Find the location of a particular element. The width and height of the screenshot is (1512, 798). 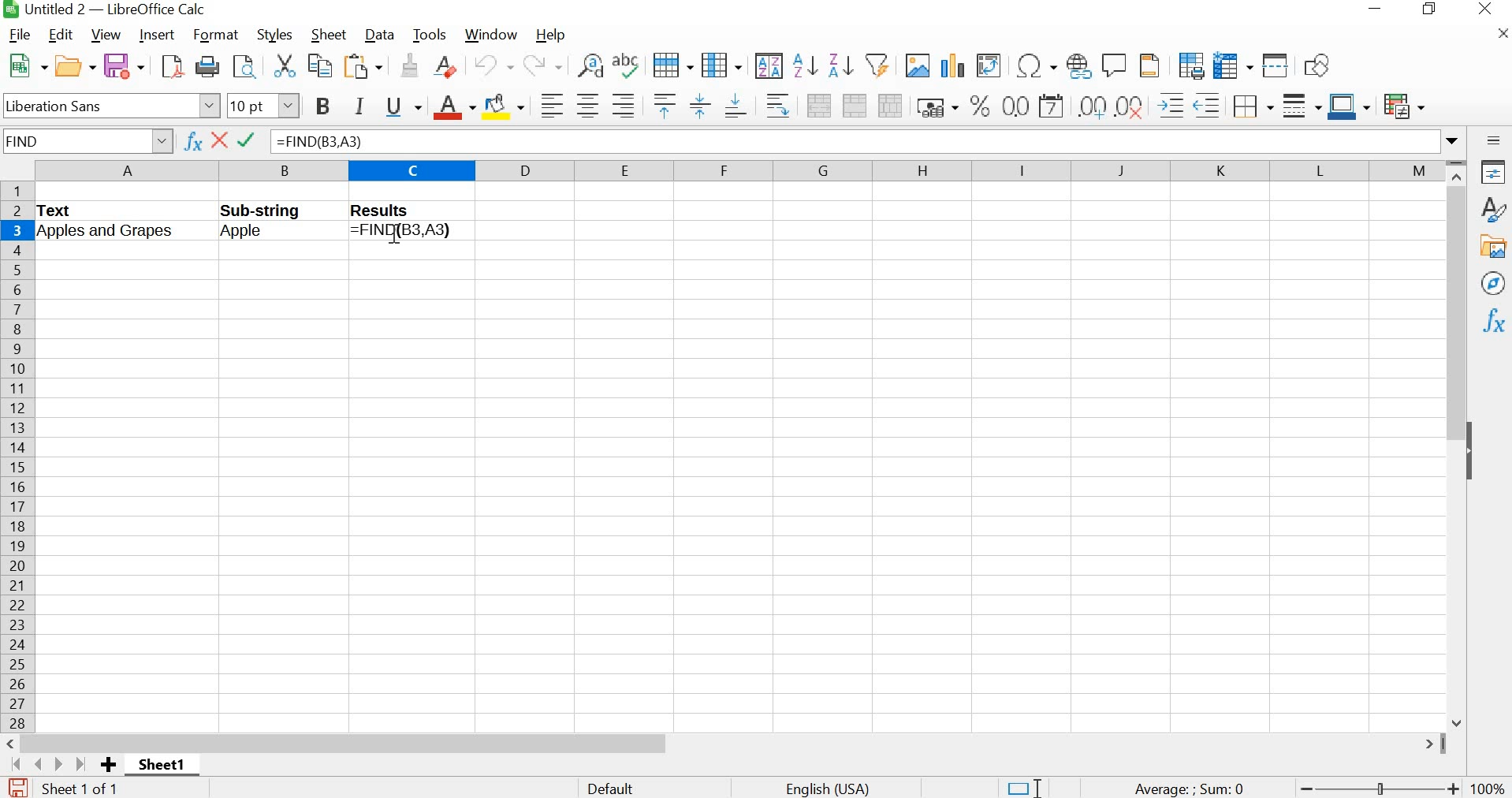

window is located at coordinates (493, 35).